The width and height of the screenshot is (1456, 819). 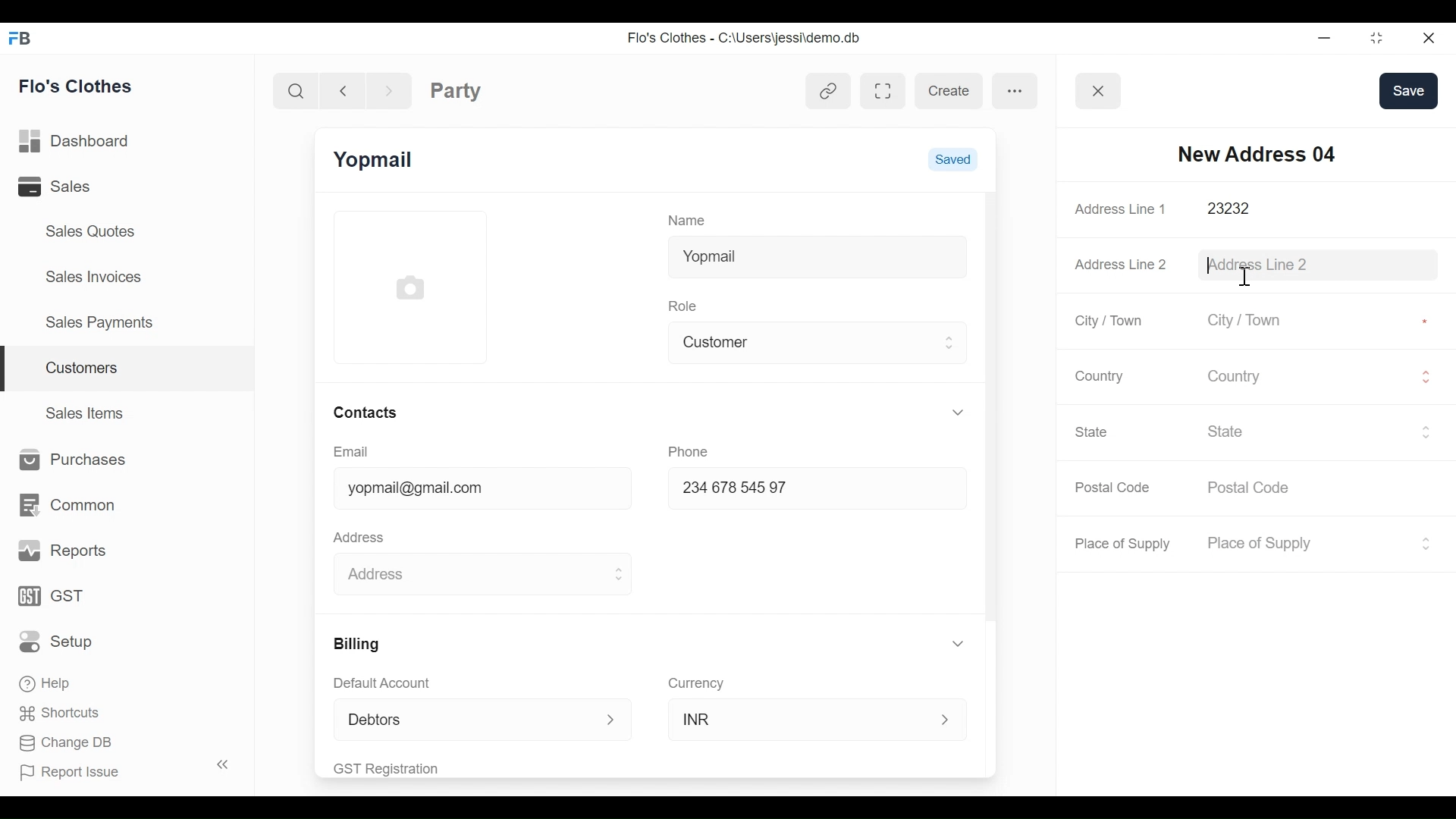 What do you see at coordinates (79, 142) in the screenshot?
I see `Dashboard` at bounding box center [79, 142].